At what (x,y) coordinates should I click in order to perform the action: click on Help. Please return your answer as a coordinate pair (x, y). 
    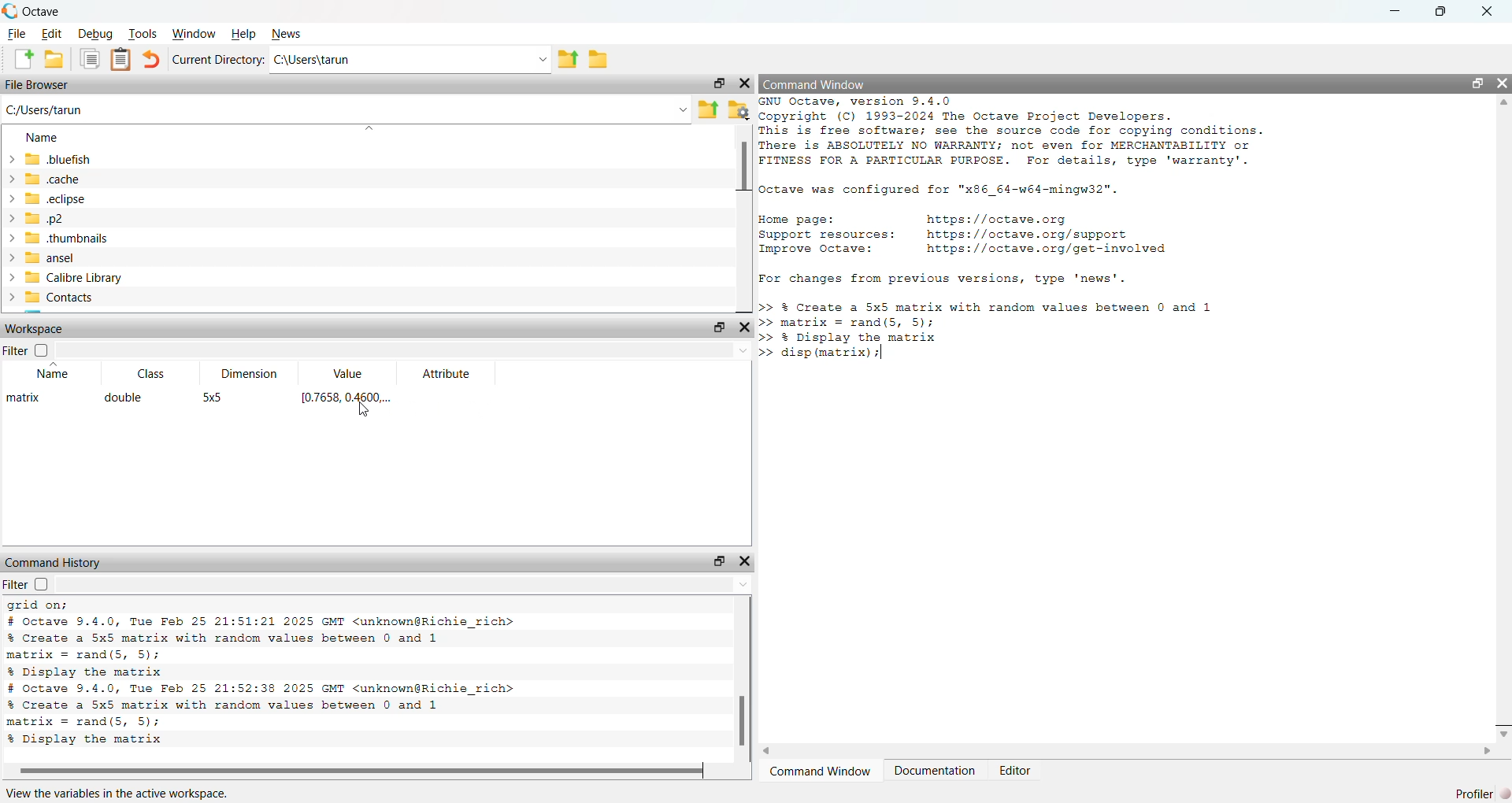
    Looking at the image, I should click on (243, 32).